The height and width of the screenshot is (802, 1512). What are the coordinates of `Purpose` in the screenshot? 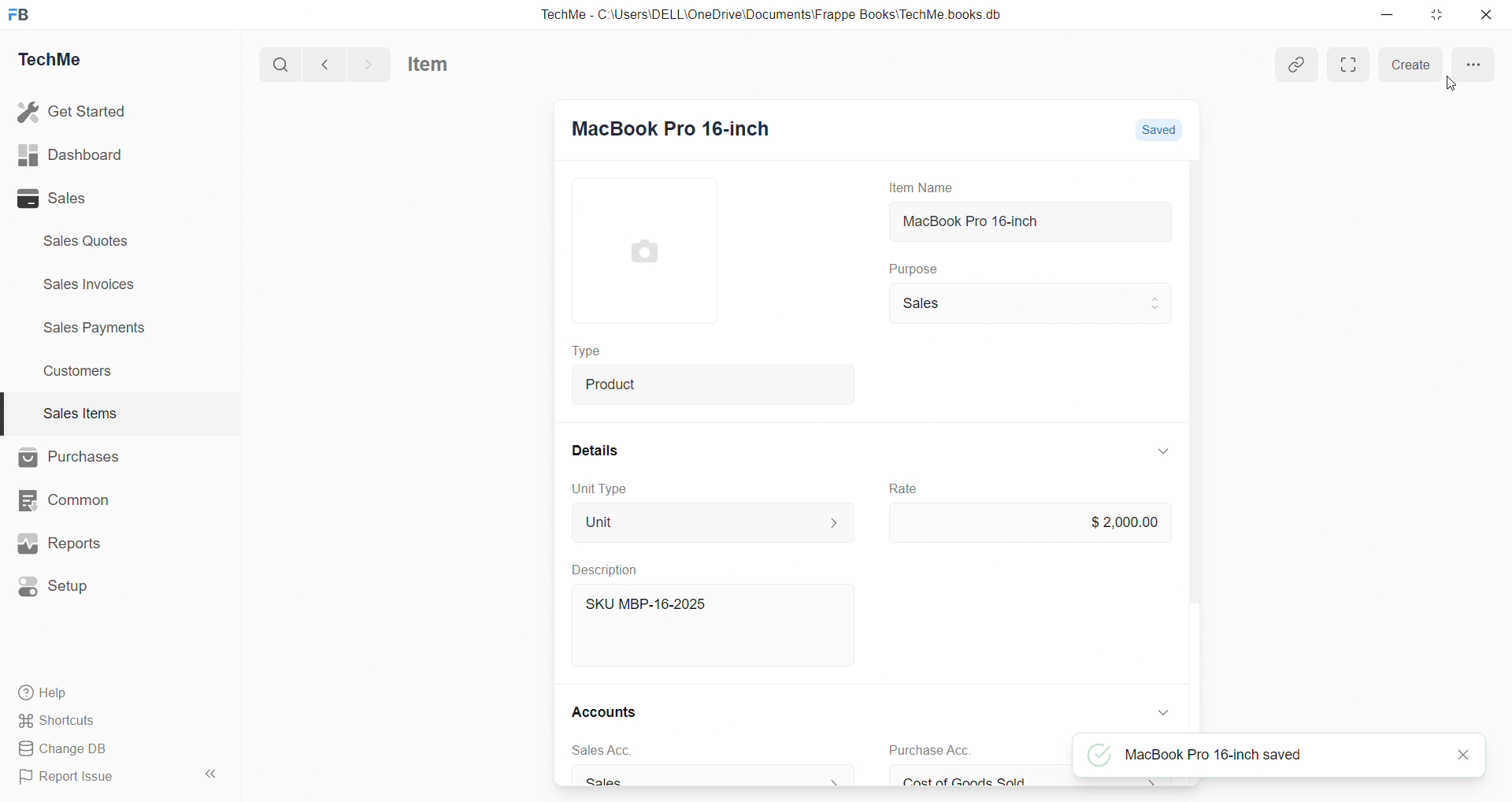 It's located at (911, 268).